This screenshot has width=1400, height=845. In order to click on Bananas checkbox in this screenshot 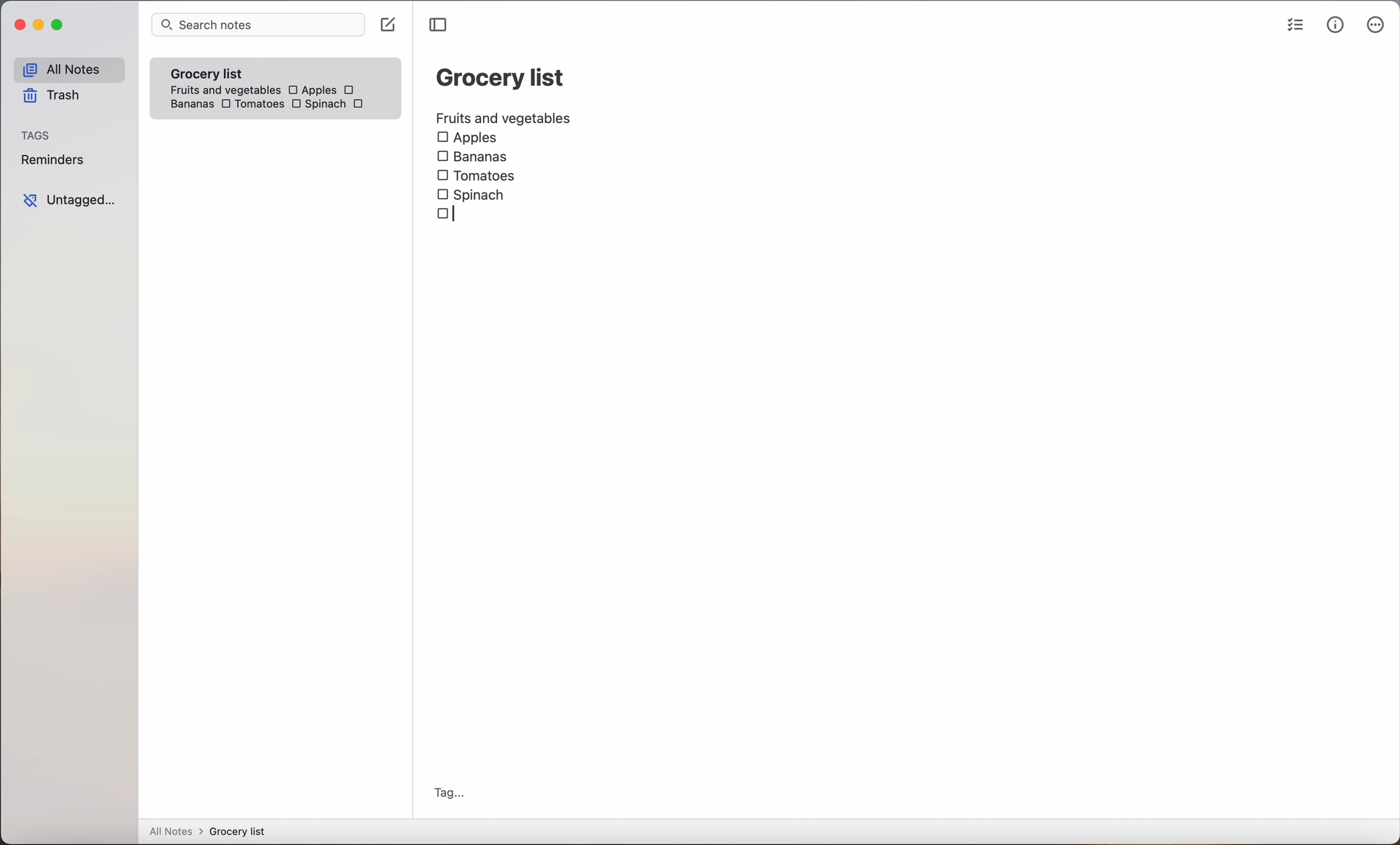, I will do `click(474, 154)`.